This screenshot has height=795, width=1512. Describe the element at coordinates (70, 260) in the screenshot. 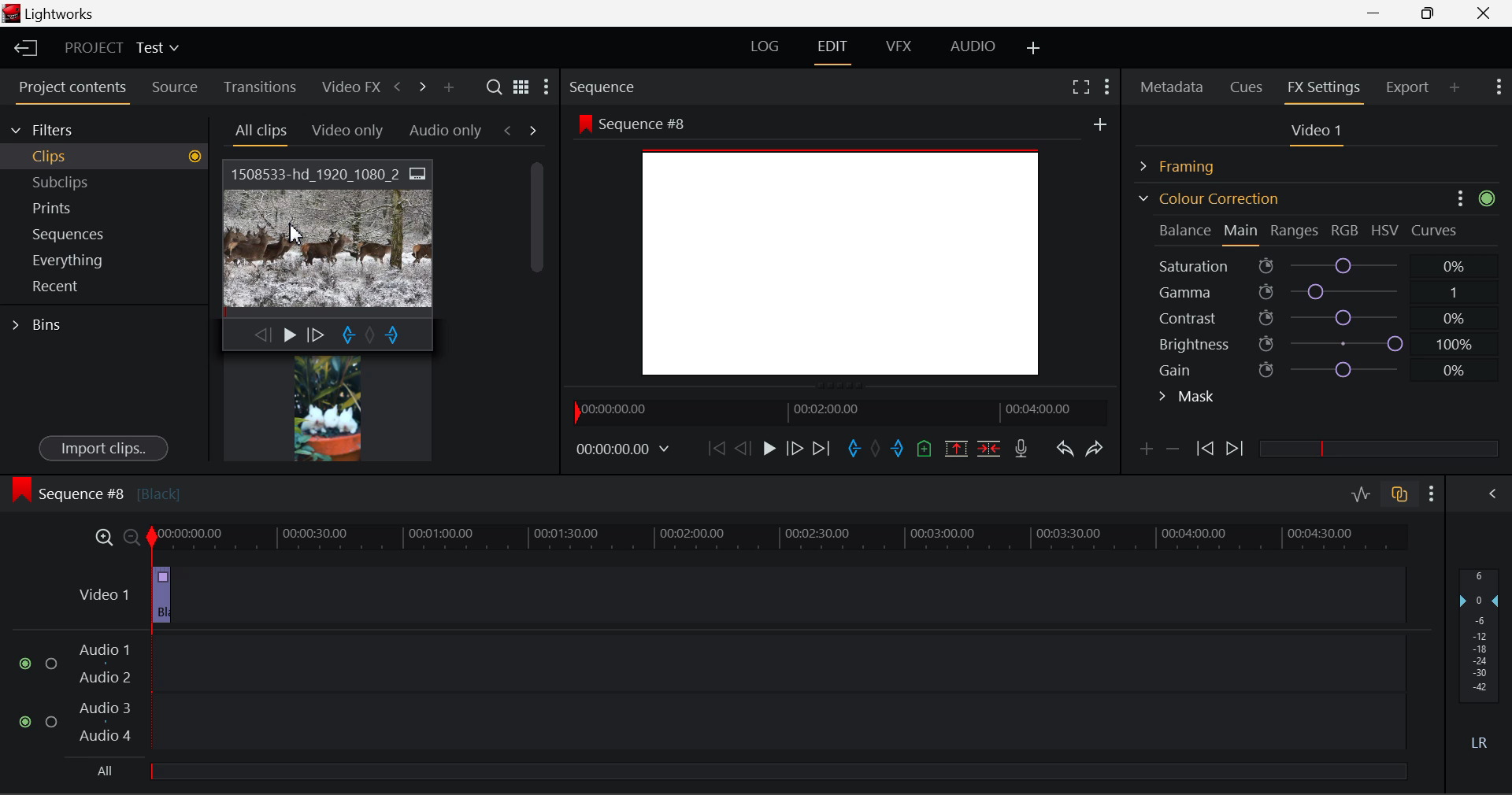

I see `Everything` at that location.